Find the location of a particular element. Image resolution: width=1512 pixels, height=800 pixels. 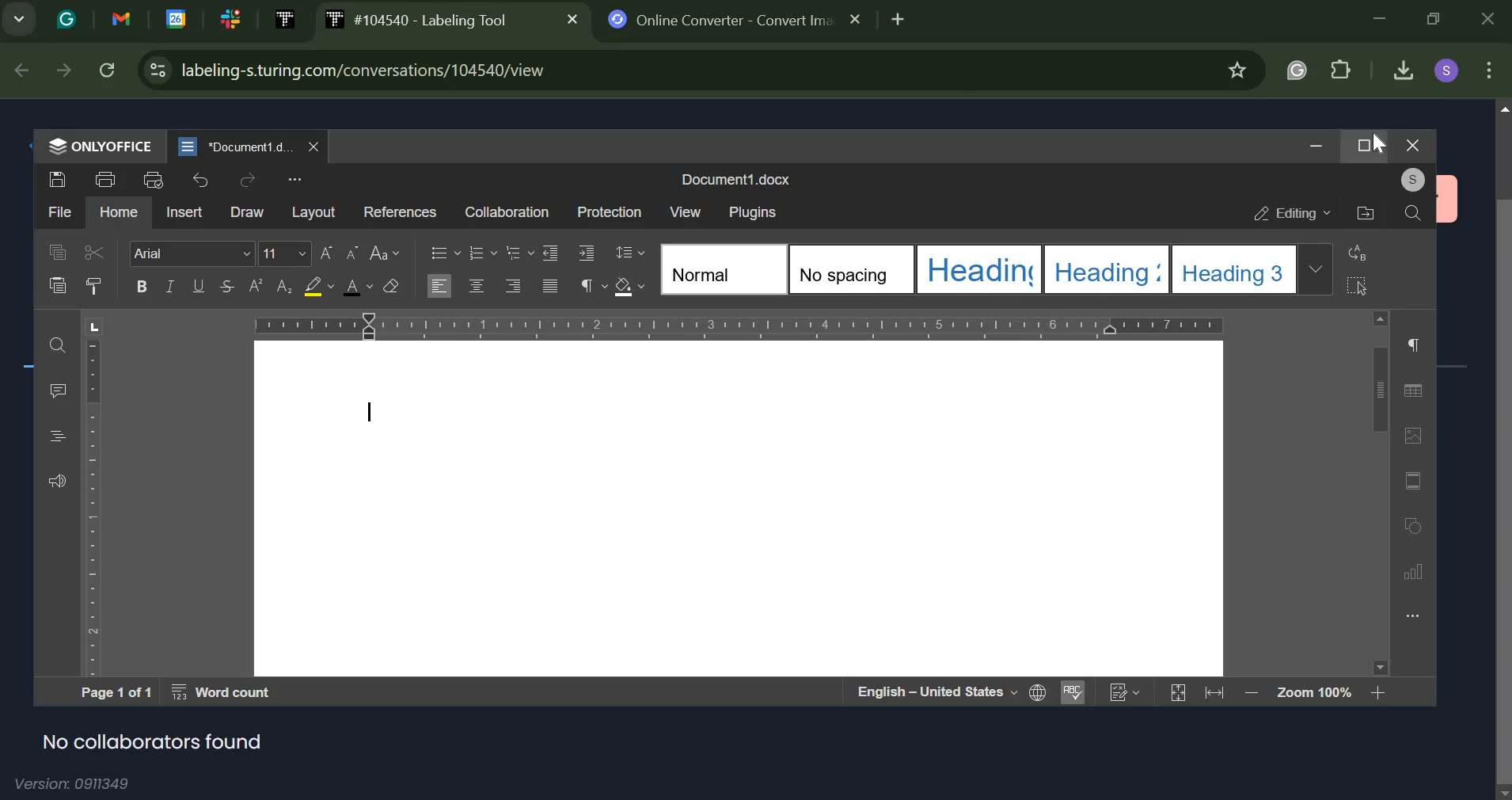

logo is located at coordinates (617, 18).